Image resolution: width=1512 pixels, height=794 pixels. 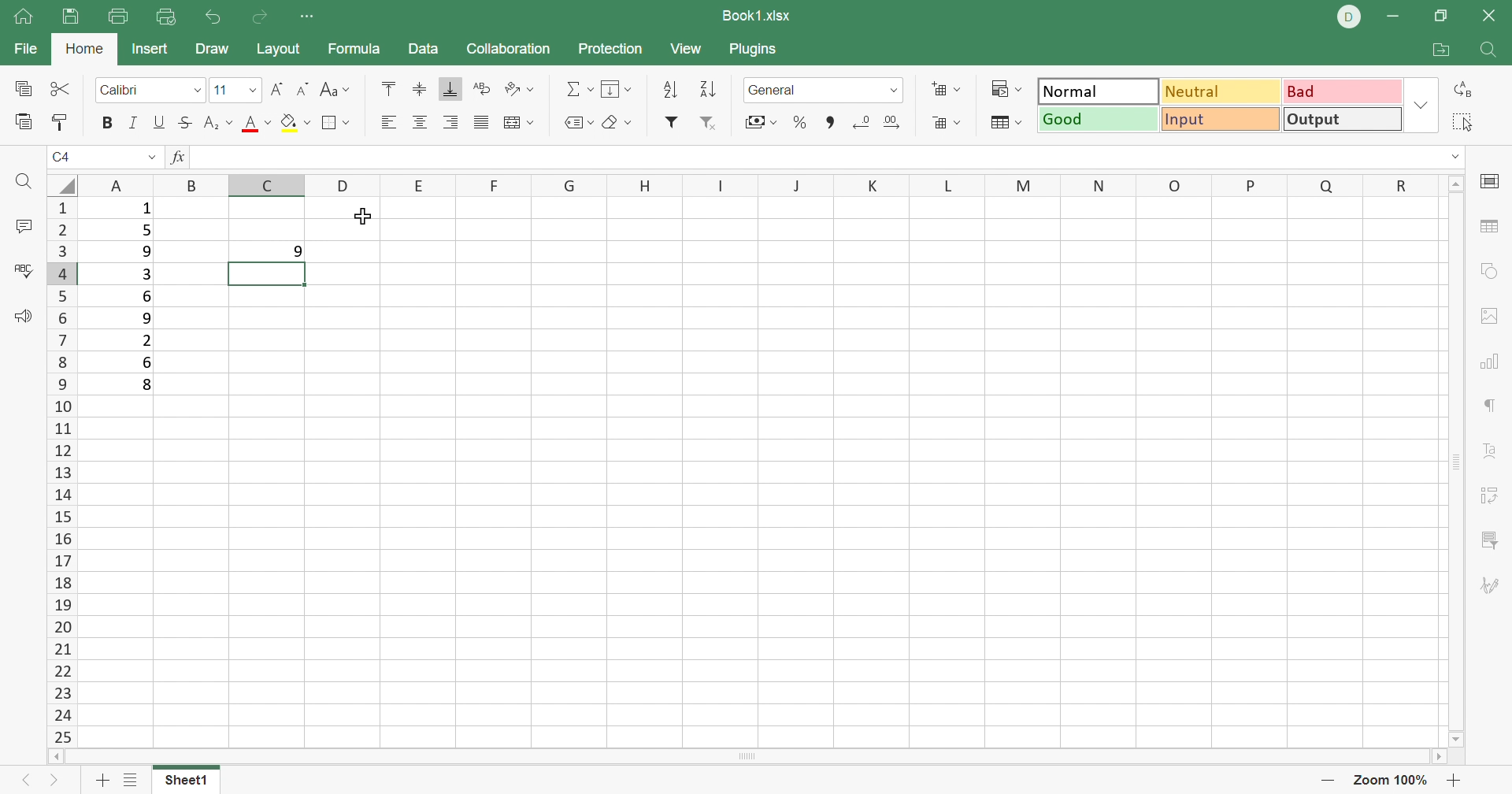 What do you see at coordinates (862, 123) in the screenshot?
I see `Decrease decimal` at bounding box center [862, 123].